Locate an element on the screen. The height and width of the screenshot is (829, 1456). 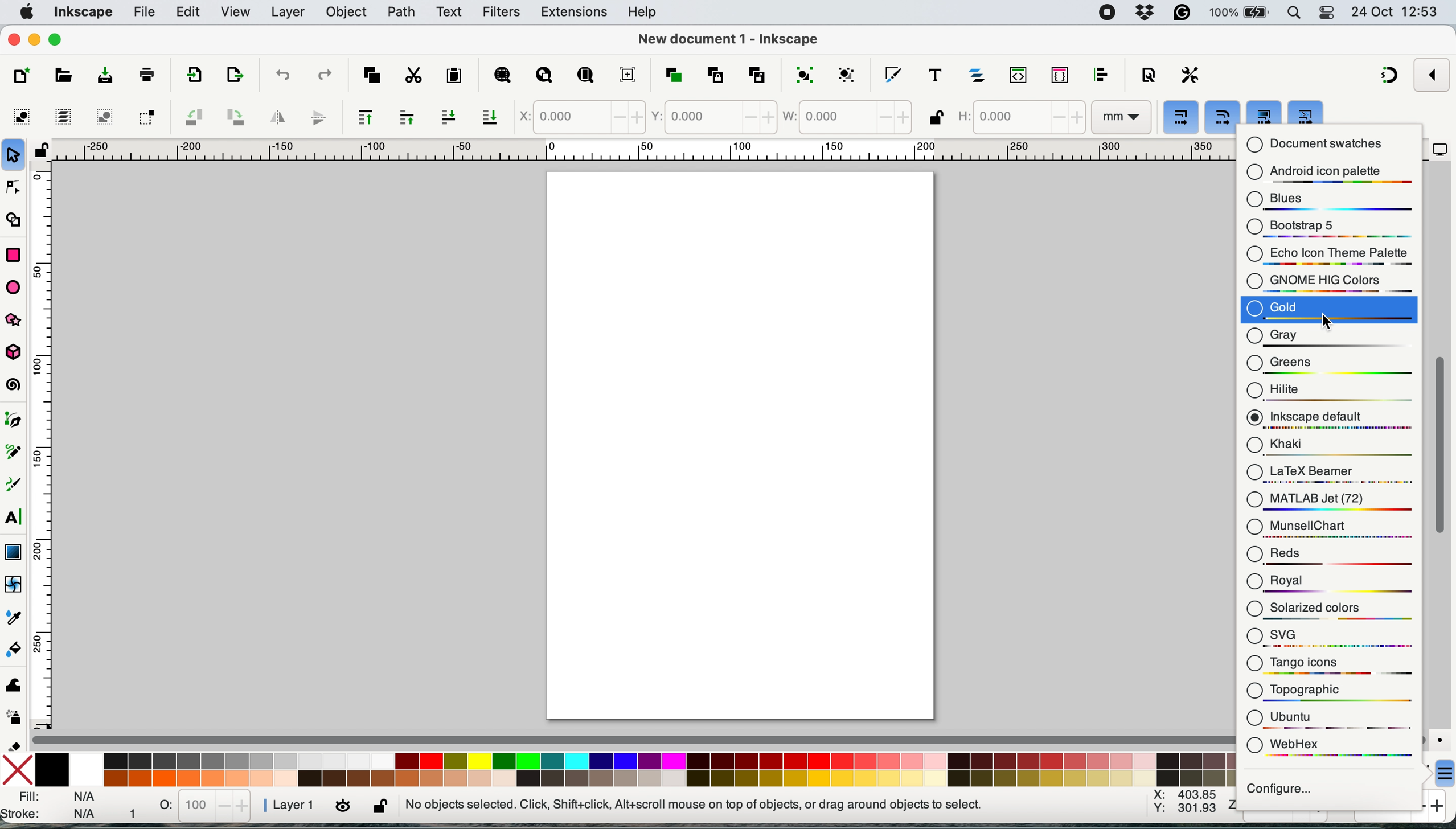
gradient tool is located at coordinates (15, 552).